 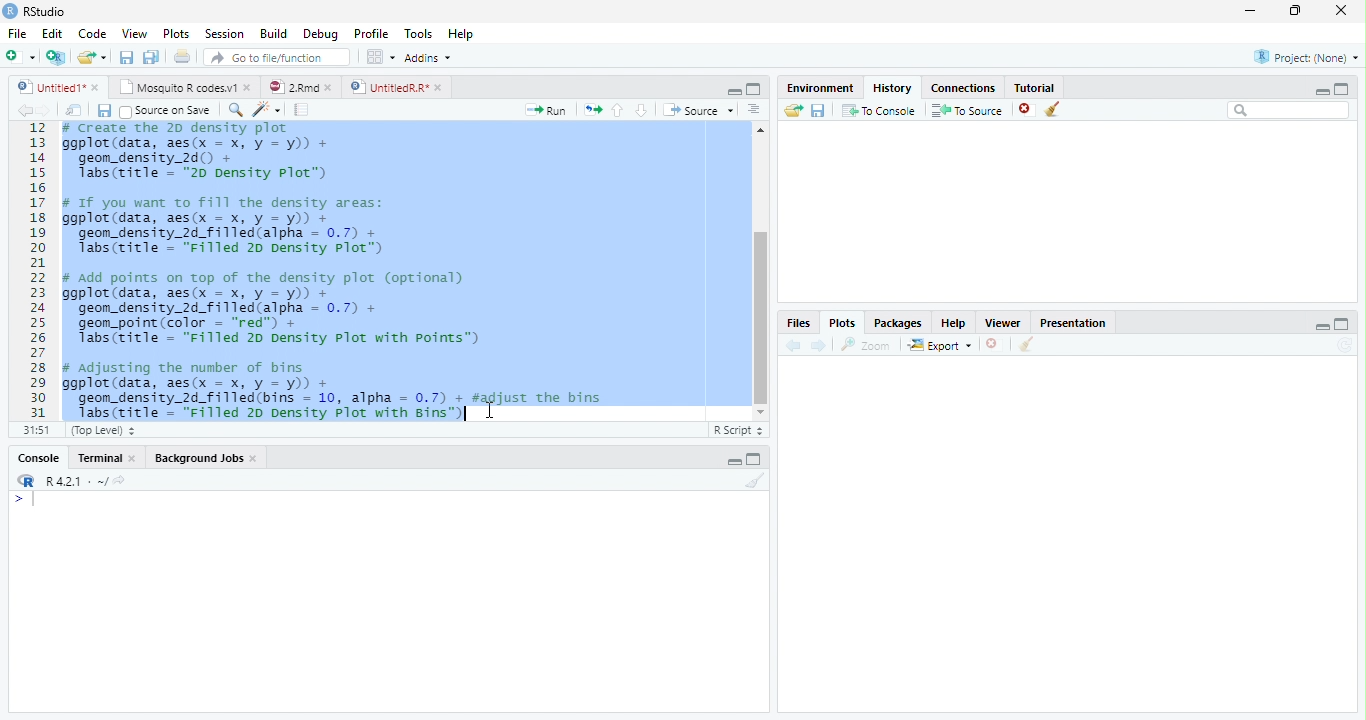 What do you see at coordinates (273, 33) in the screenshot?
I see `Build` at bounding box center [273, 33].